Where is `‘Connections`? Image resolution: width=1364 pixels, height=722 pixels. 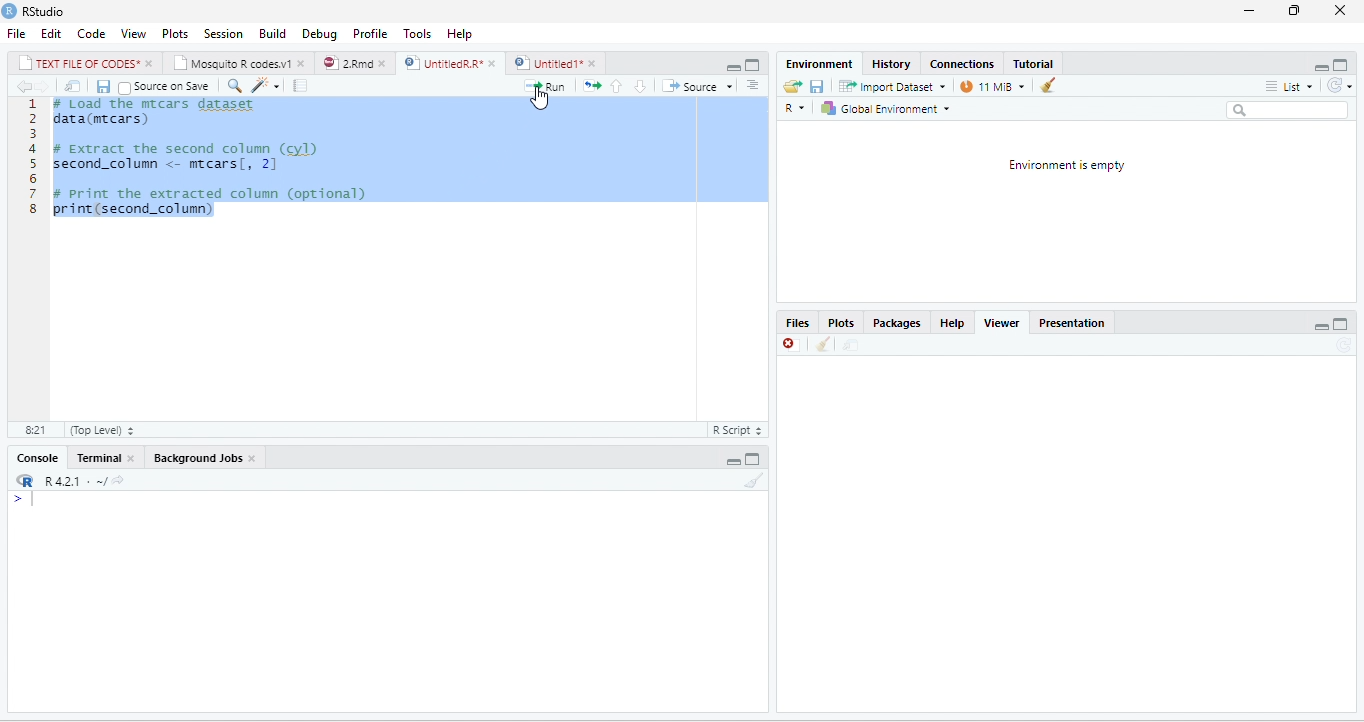
‘Connections is located at coordinates (961, 64).